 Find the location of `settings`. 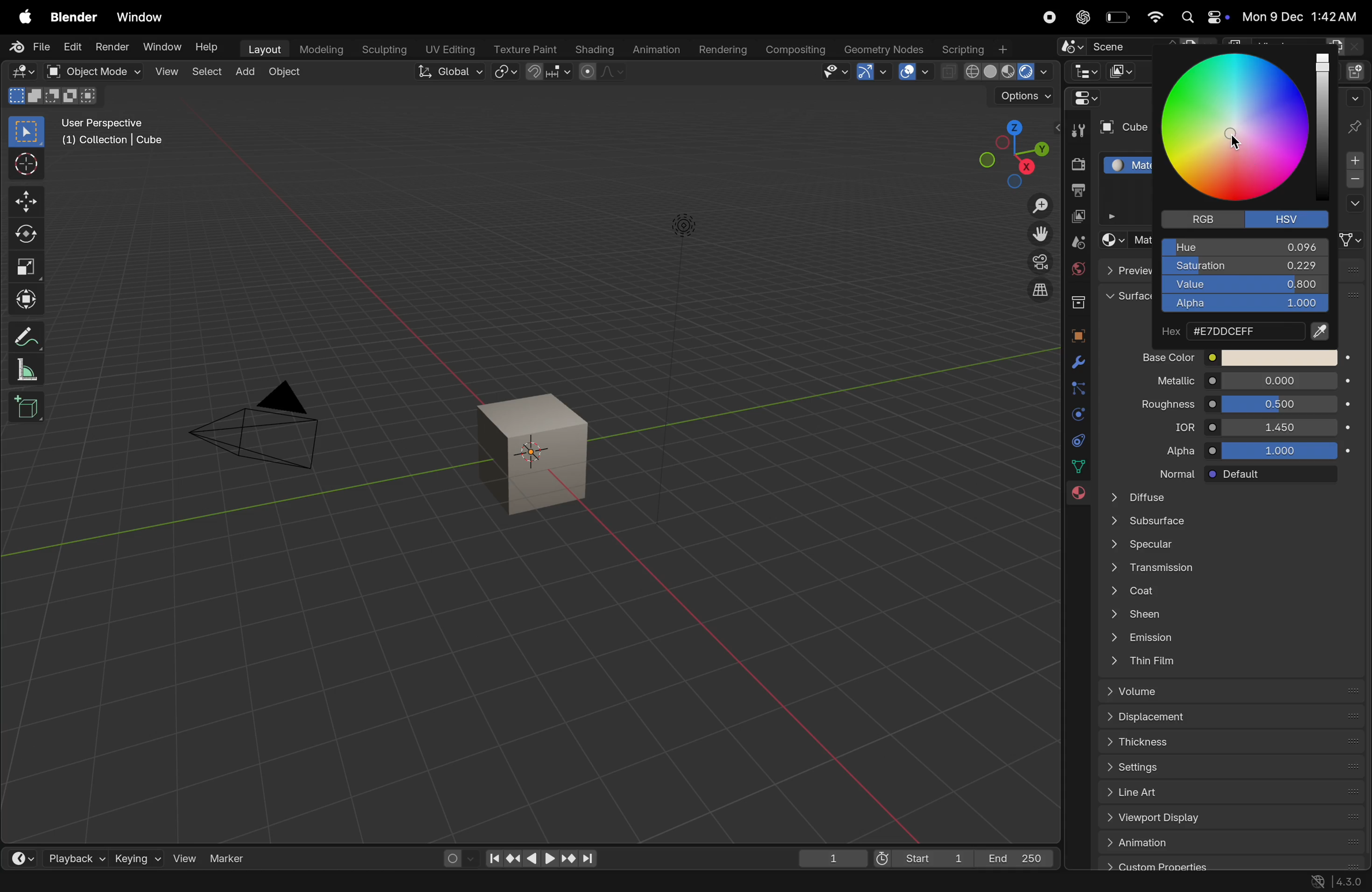

settings is located at coordinates (1227, 765).